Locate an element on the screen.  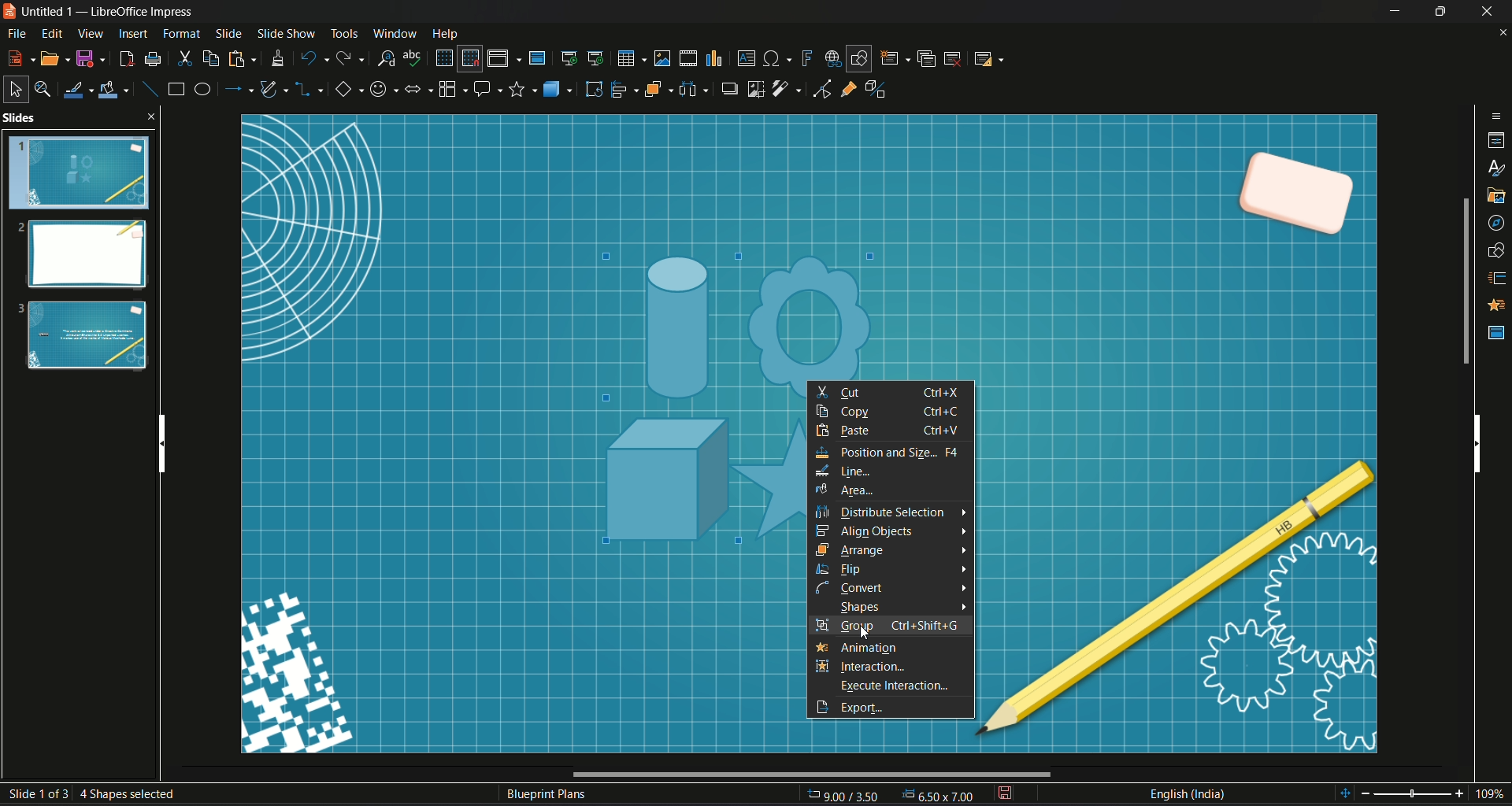
Slide show is located at coordinates (285, 31).